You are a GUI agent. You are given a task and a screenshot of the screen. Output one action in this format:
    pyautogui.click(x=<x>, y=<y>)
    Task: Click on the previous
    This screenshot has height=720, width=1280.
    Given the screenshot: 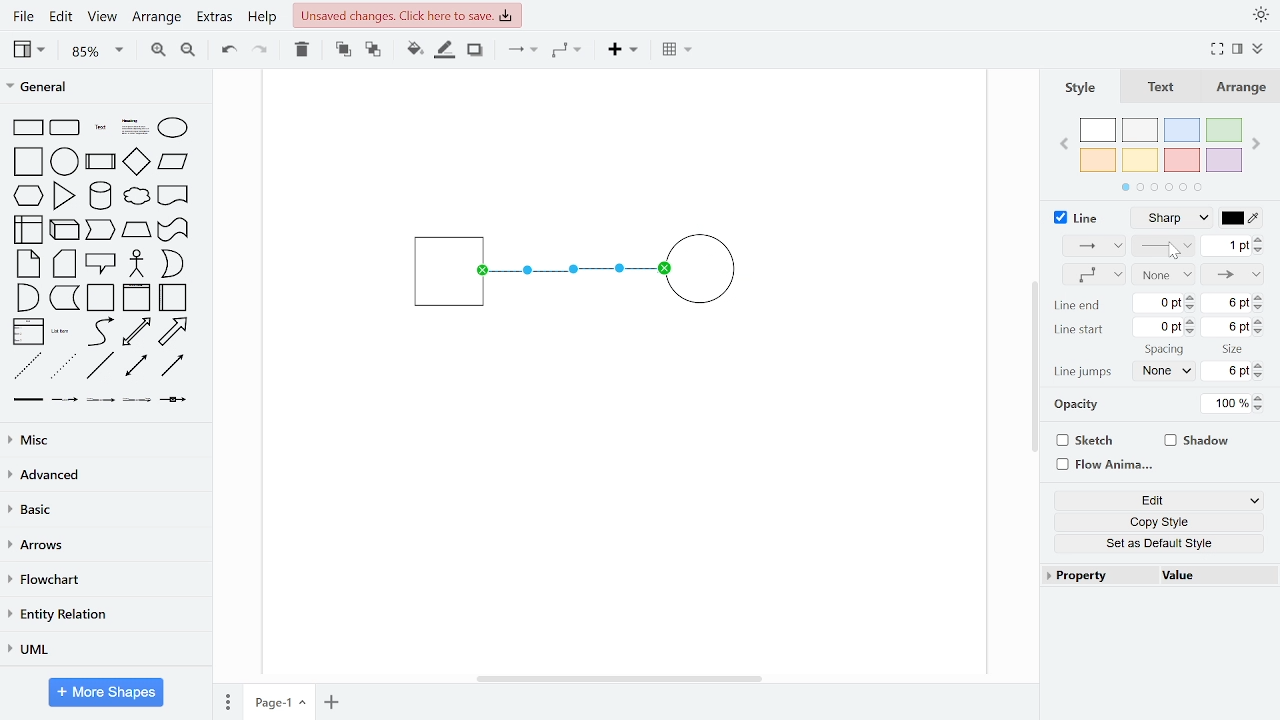 What is the action you would take?
    pyautogui.click(x=1066, y=146)
    